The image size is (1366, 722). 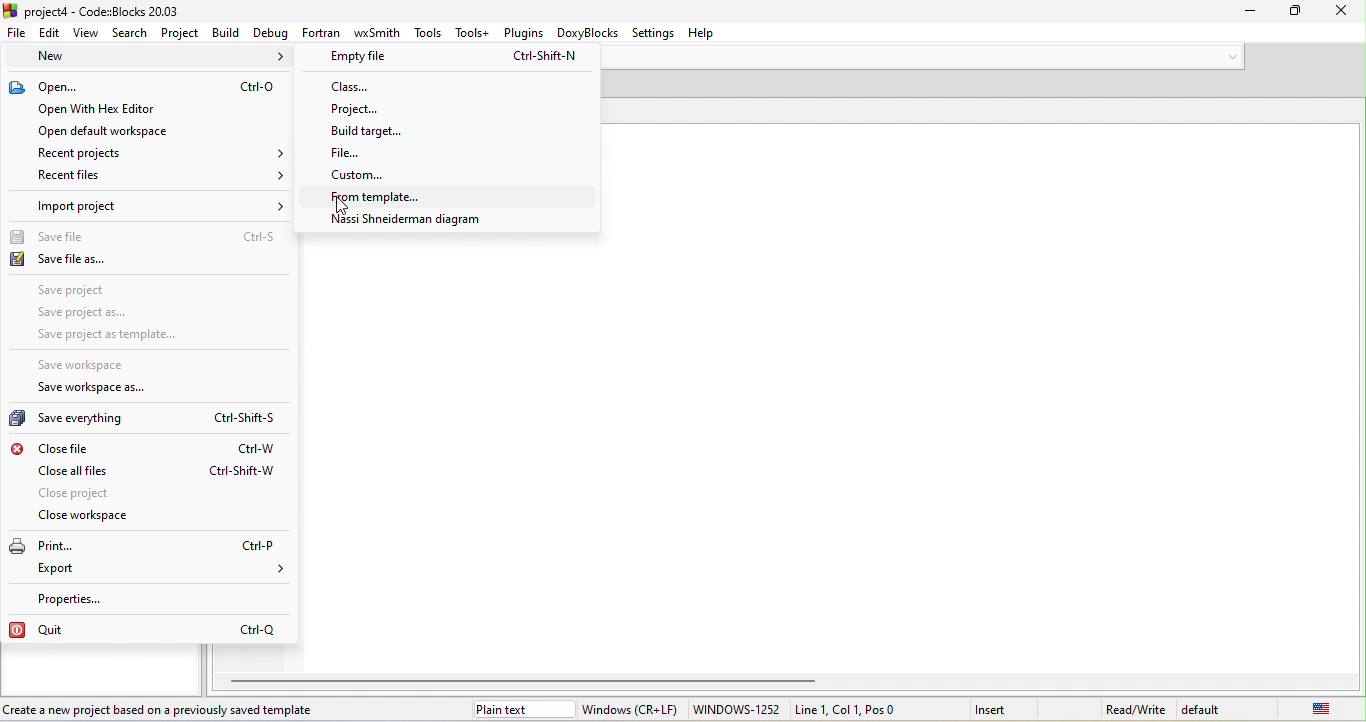 I want to click on insert, so click(x=1003, y=708).